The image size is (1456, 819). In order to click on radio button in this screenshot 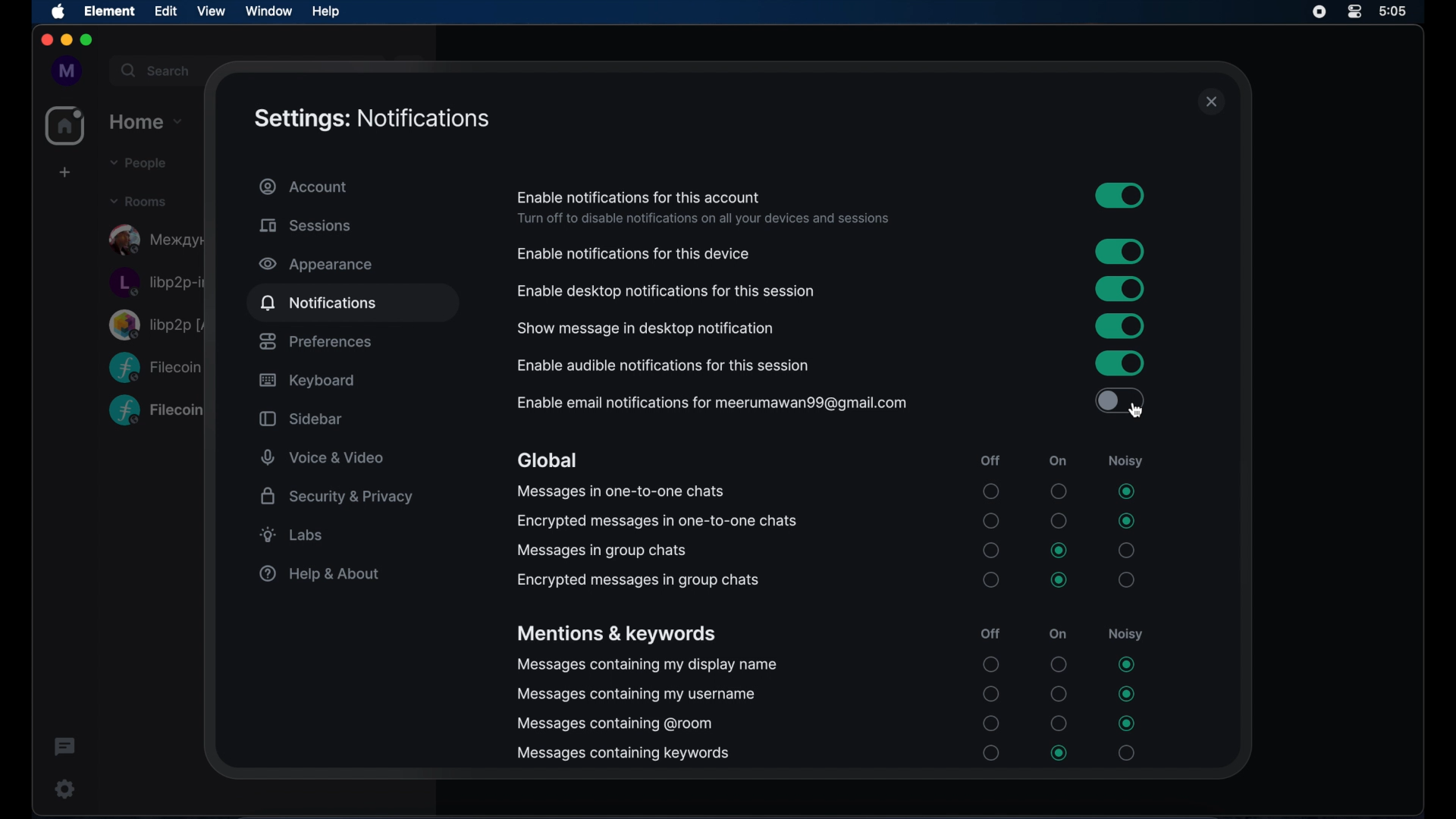, I will do `click(1125, 664)`.